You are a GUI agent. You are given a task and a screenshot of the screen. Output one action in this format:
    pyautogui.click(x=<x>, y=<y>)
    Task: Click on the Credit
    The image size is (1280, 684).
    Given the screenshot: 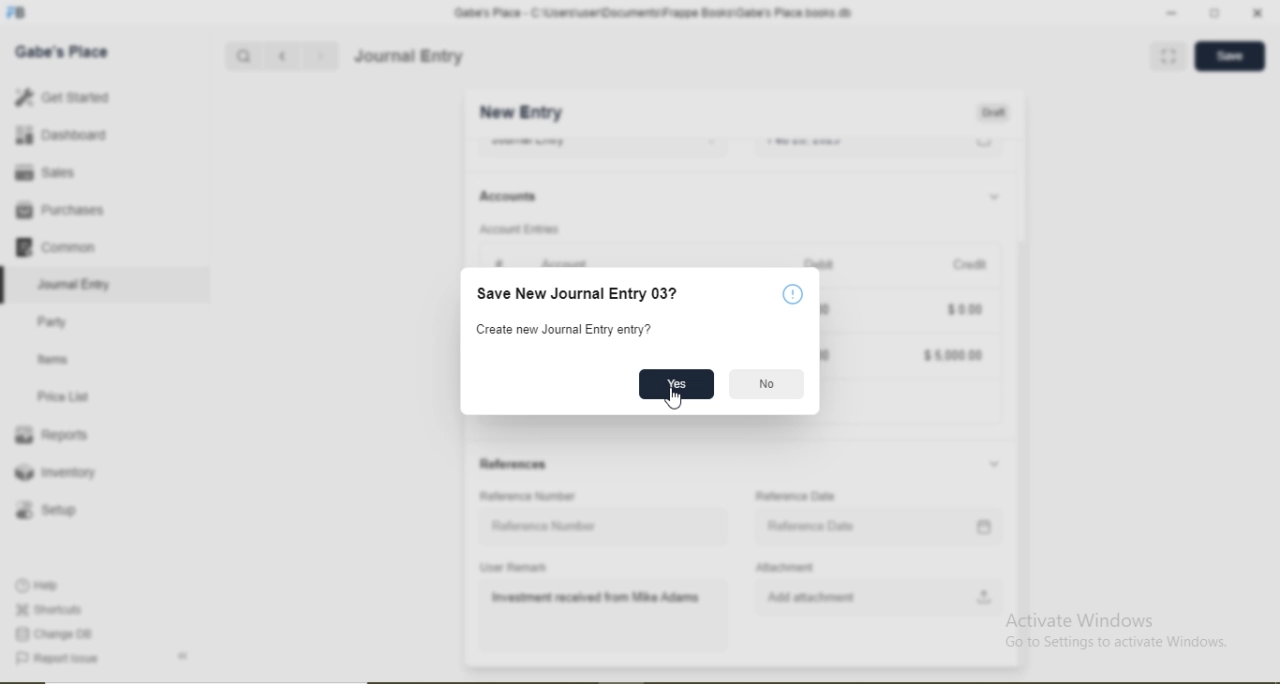 What is the action you would take?
    pyautogui.click(x=971, y=266)
    